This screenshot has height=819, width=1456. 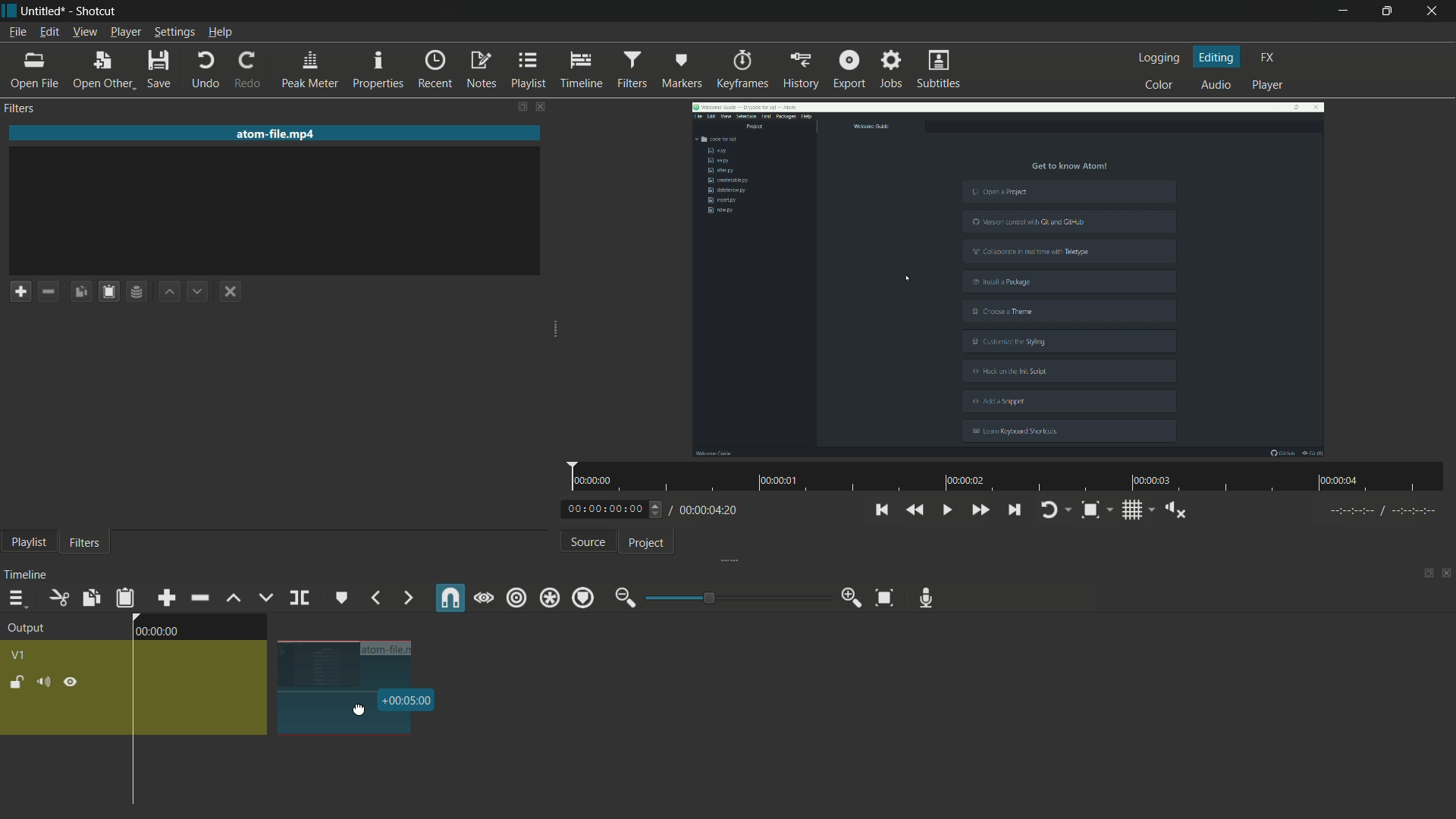 What do you see at coordinates (448, 597) in the screenshot?
I see `snap` at bounding box center [448, 597].